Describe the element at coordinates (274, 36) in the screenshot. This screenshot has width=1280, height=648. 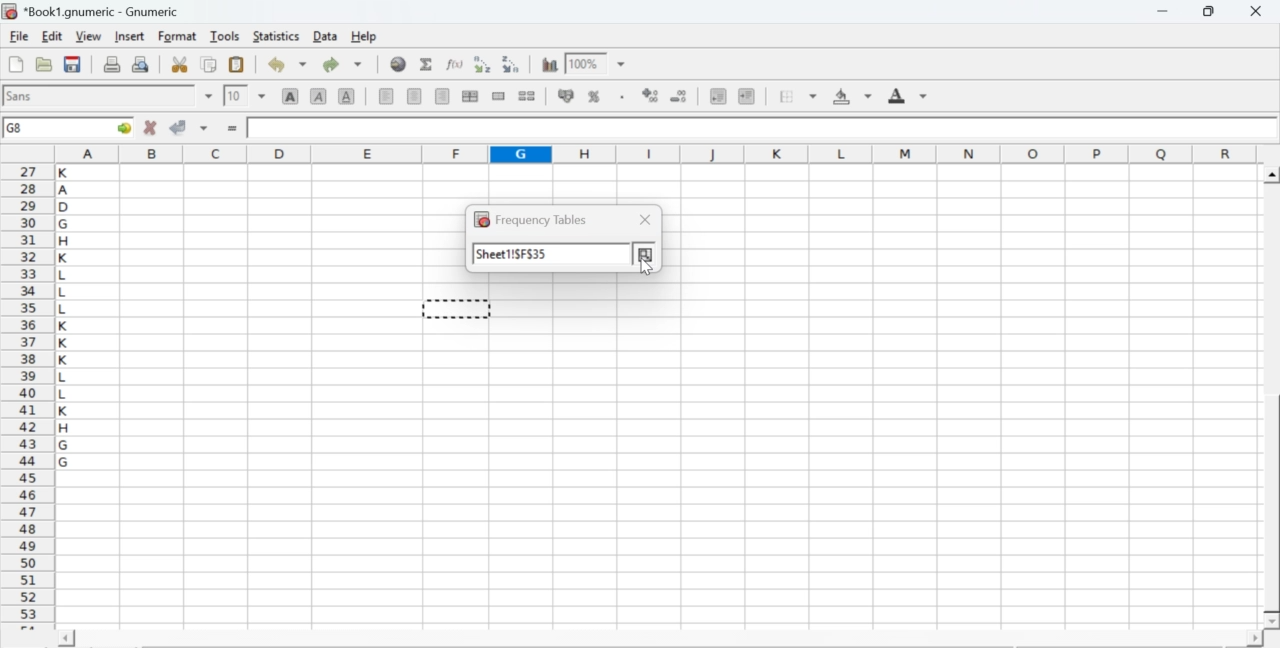
I see `statistics` at that location.